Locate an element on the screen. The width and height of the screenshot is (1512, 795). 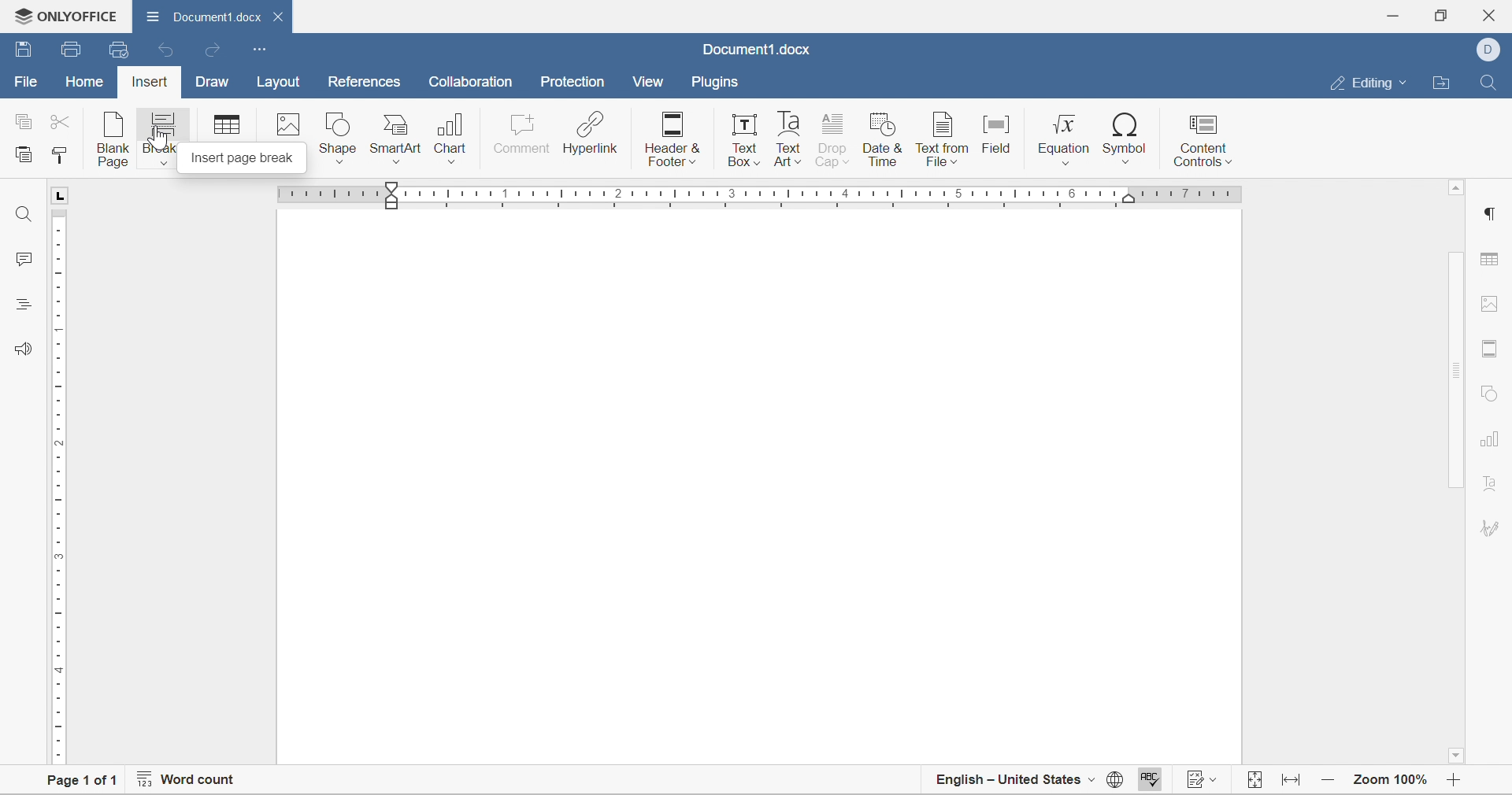
Chart settings is located at coordinates (1488, 444).